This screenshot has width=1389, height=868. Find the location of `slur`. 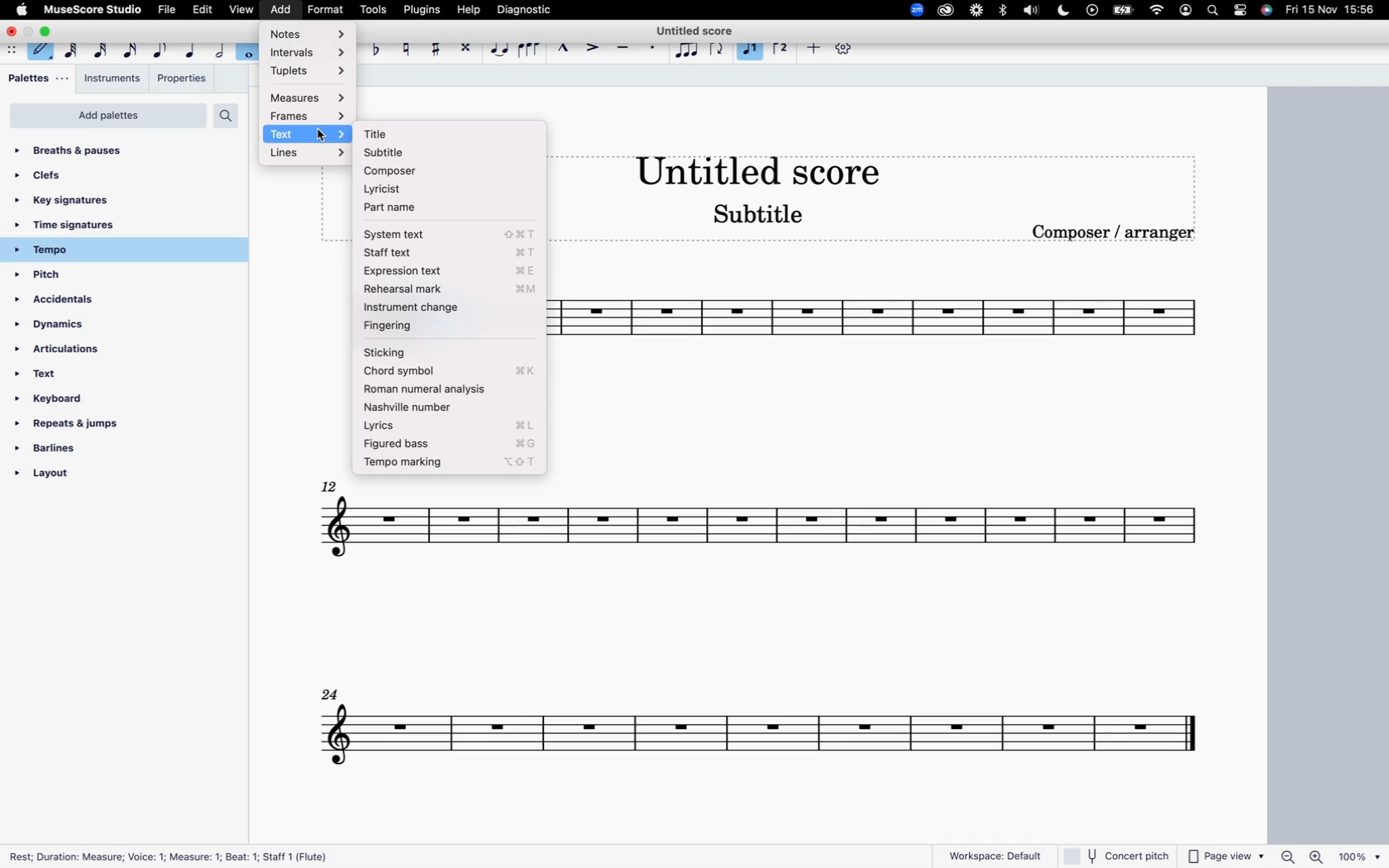

slur is located at coordinates (529, 48).